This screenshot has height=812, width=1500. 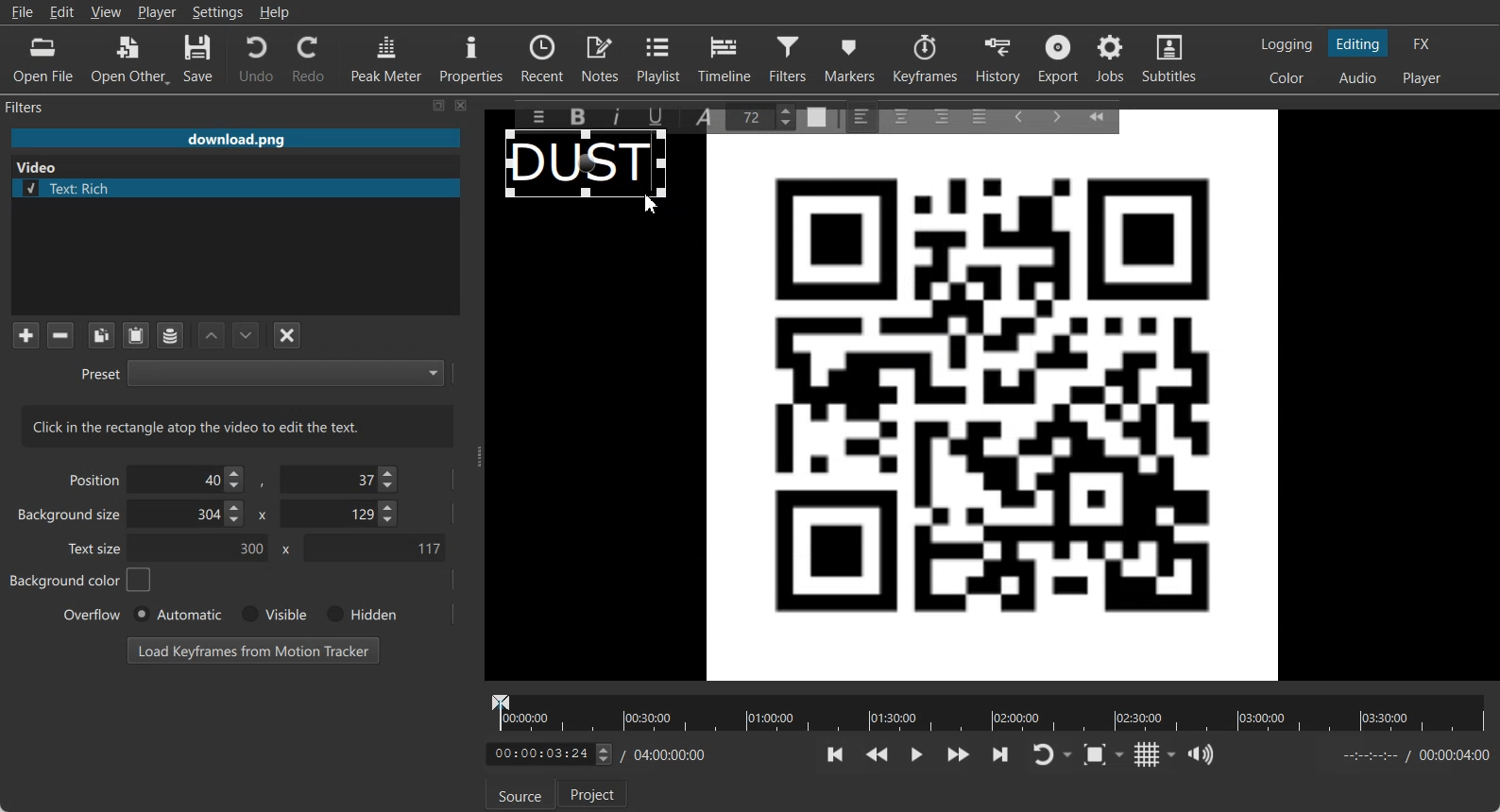 What do you see at coordinates (1287, 78) in the screenshot?
I see `Switching to the Color layout` at bounding box center [1287, 78].